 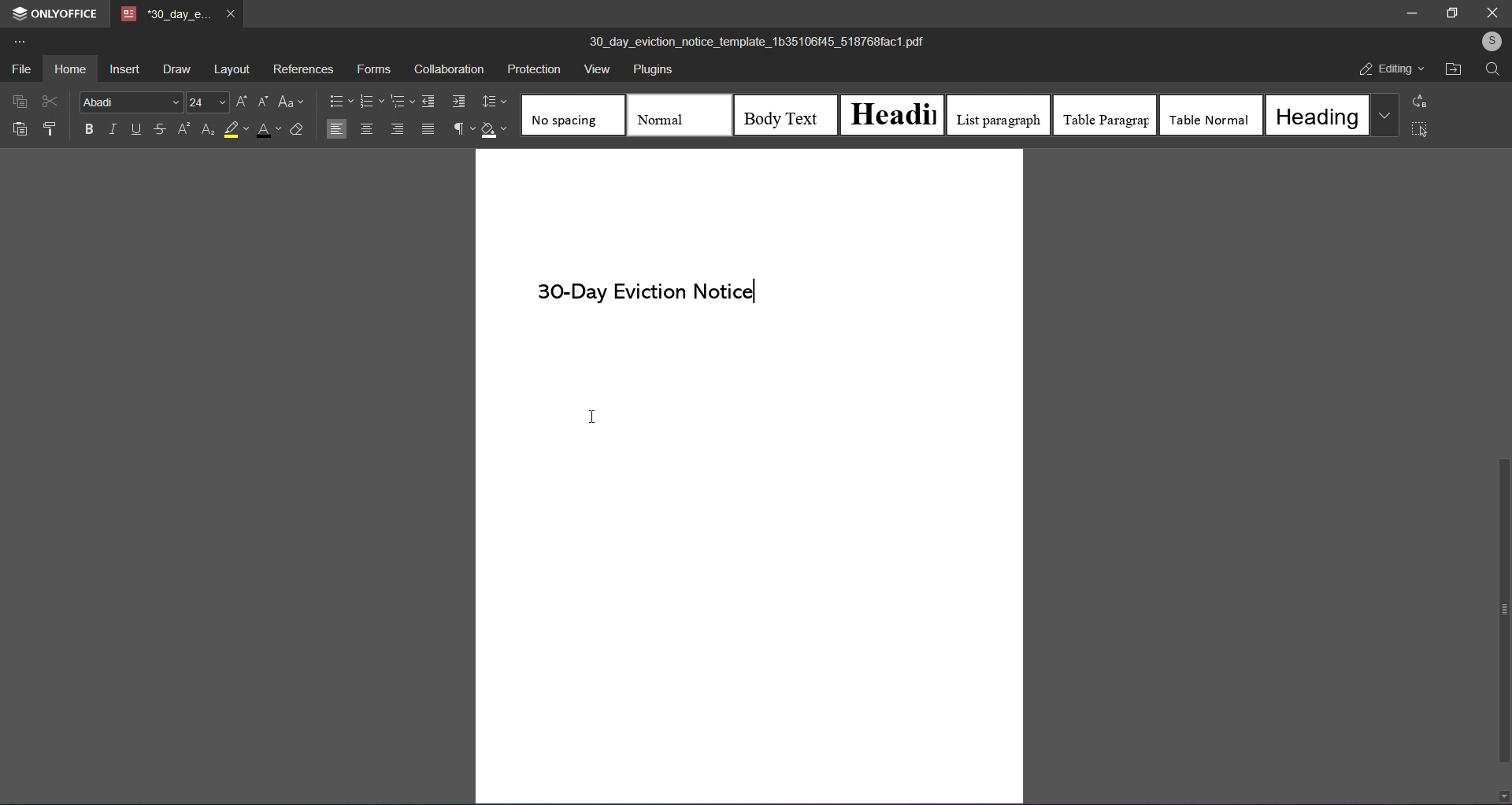 What do you see at coordinates (495, 102) in the screenshot?
I see `line spacing` at bounding box center [495, 102].